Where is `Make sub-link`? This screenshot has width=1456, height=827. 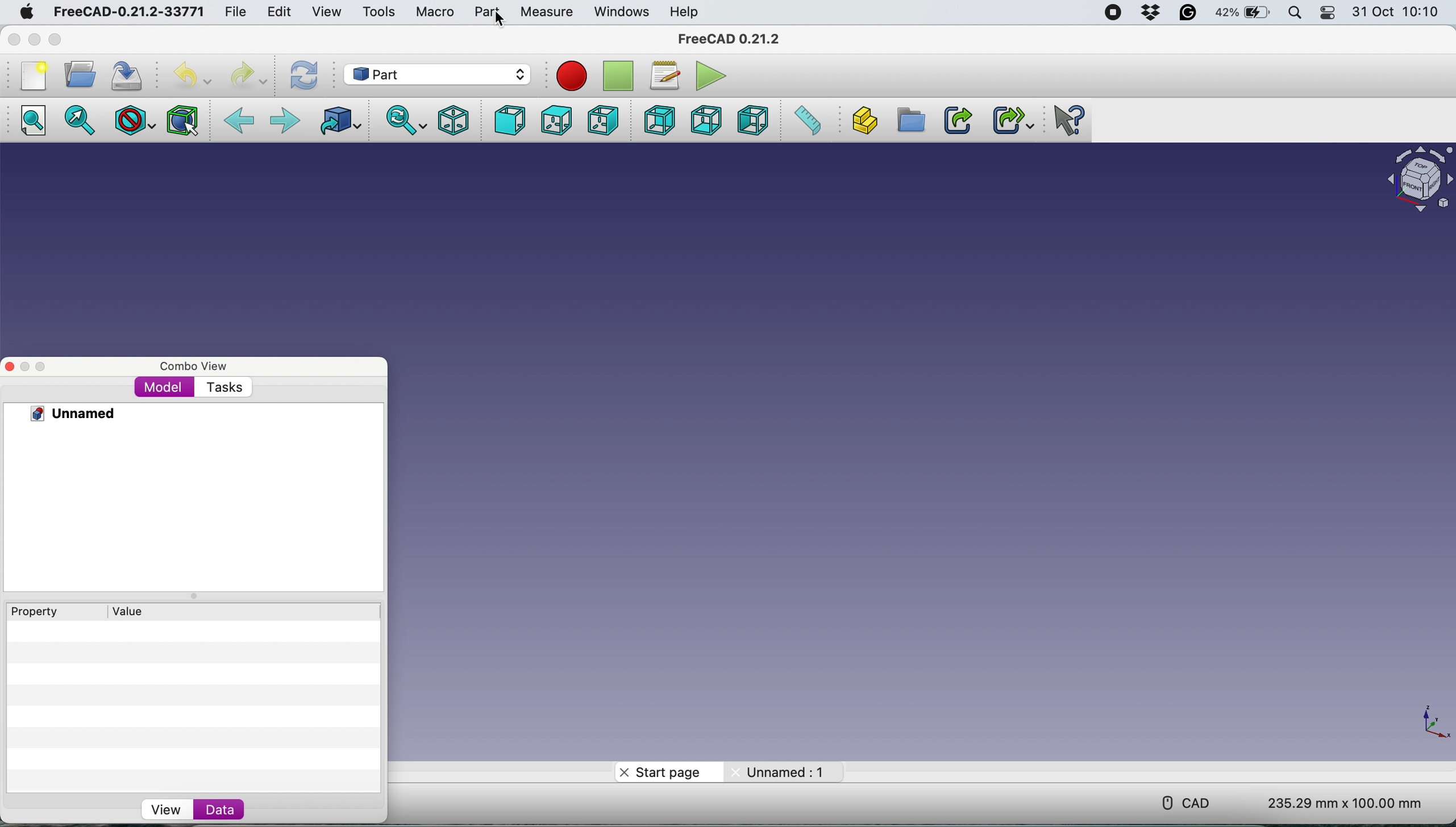
Make sub-link is located at coordinates (1006, 120).